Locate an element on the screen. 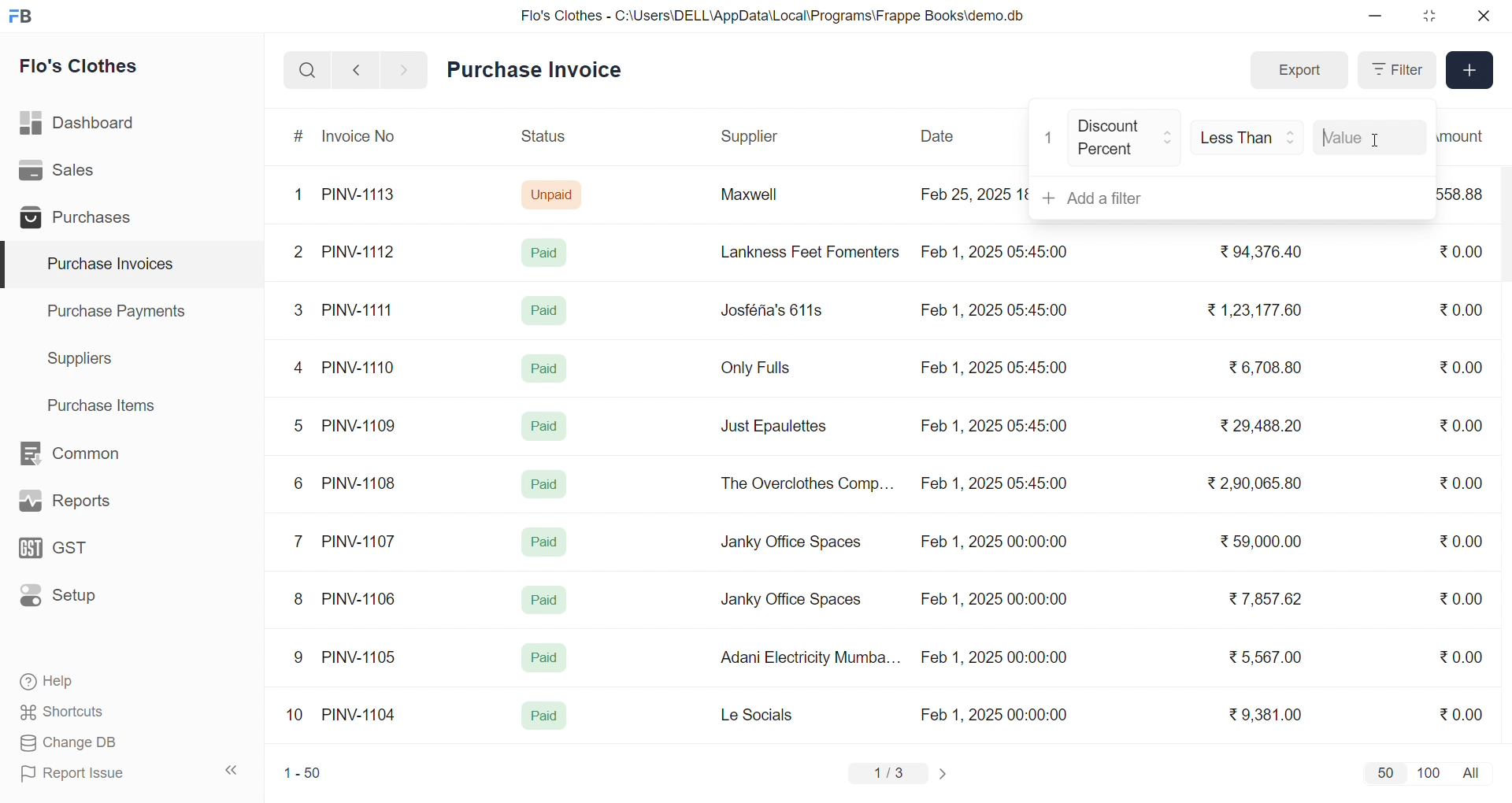 This screenshot has height=803, width=1512. 10 is located at coordinates (298, 716).